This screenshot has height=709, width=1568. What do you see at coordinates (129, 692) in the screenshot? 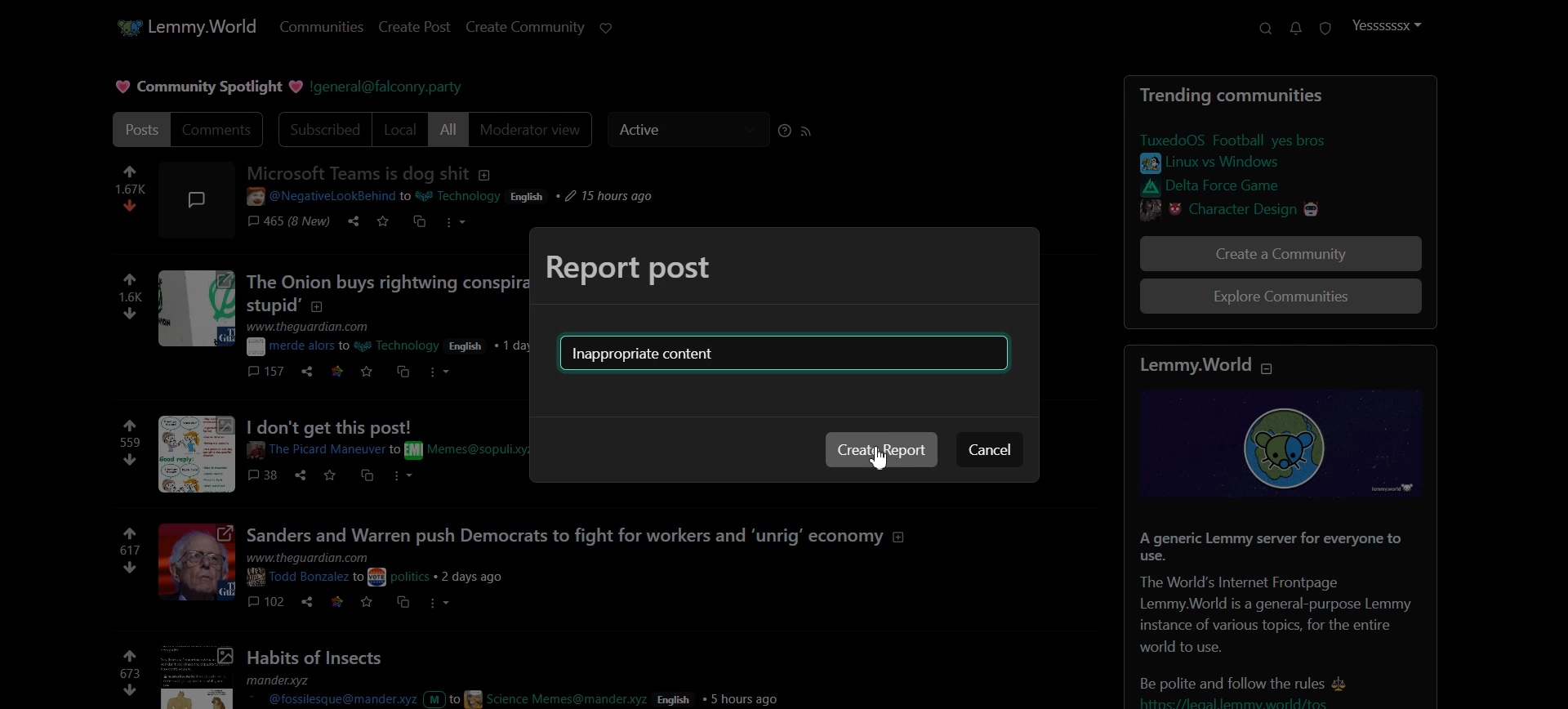
I see `downvote` at bounding box center [129, 692].